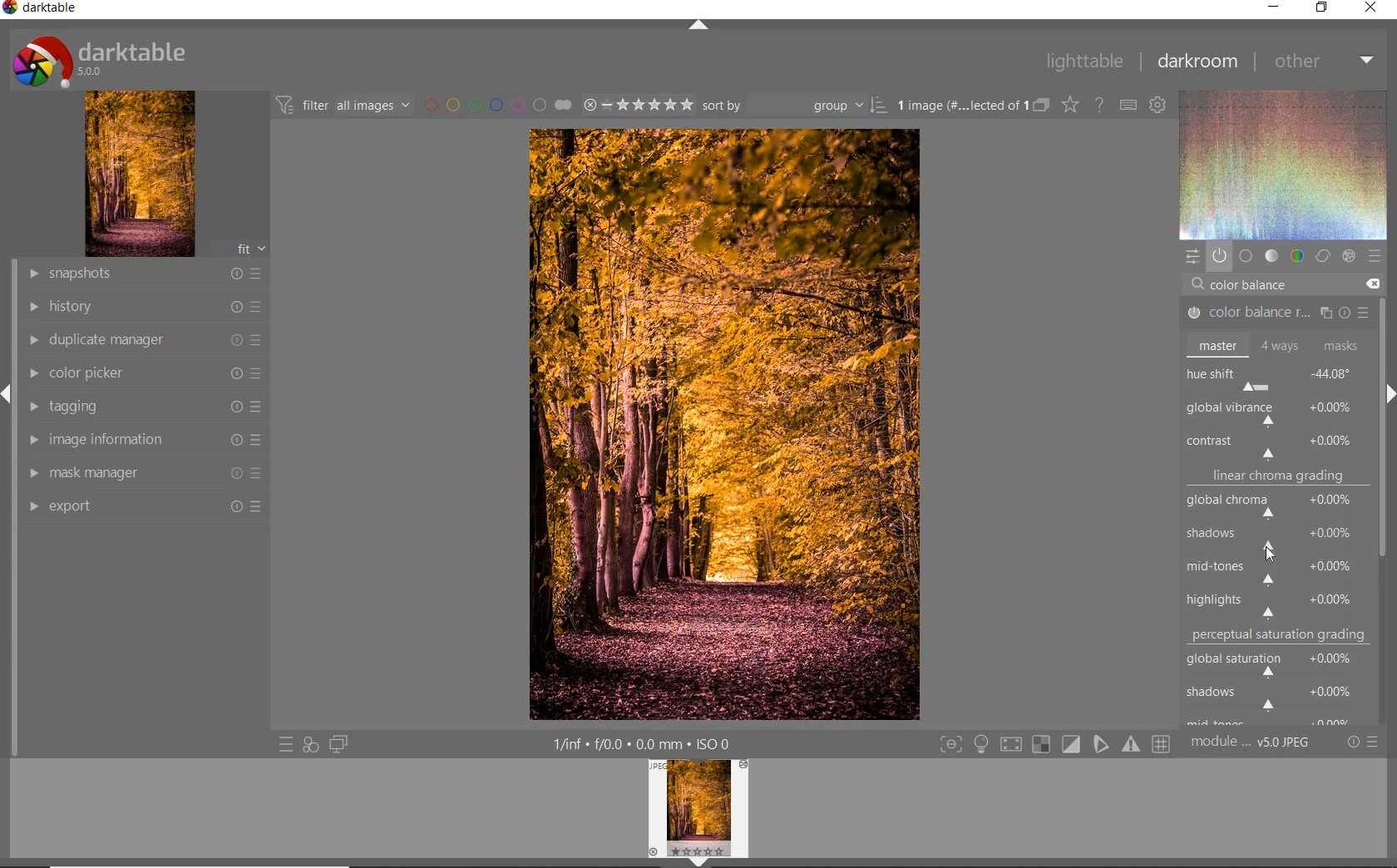 This screenshot has height=868, width=1397. I want to click on wave form, so click(1282, 165).